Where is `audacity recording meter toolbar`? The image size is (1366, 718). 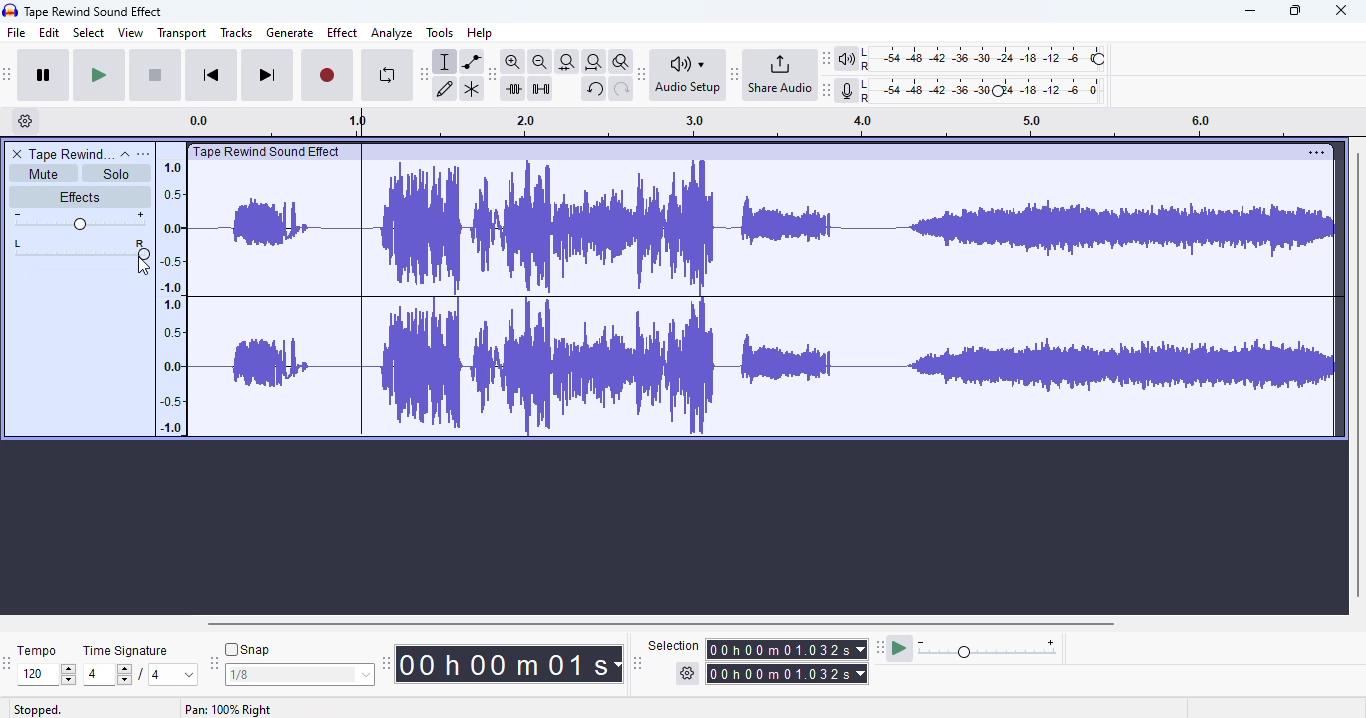 audacity recording meter toolbar is located at coordinates (827, 90).